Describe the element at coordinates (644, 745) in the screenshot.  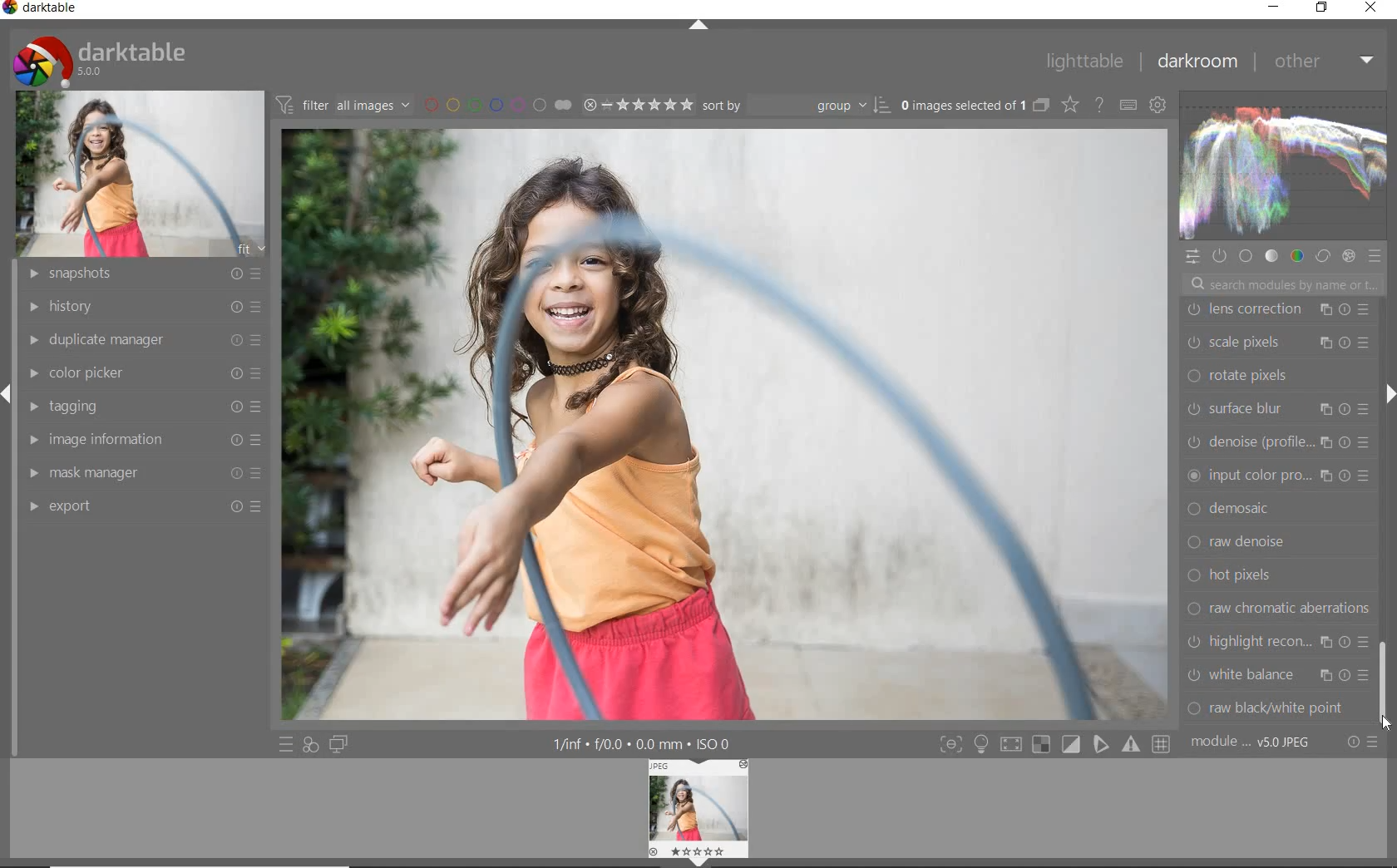
I see `other interface details` at that location.